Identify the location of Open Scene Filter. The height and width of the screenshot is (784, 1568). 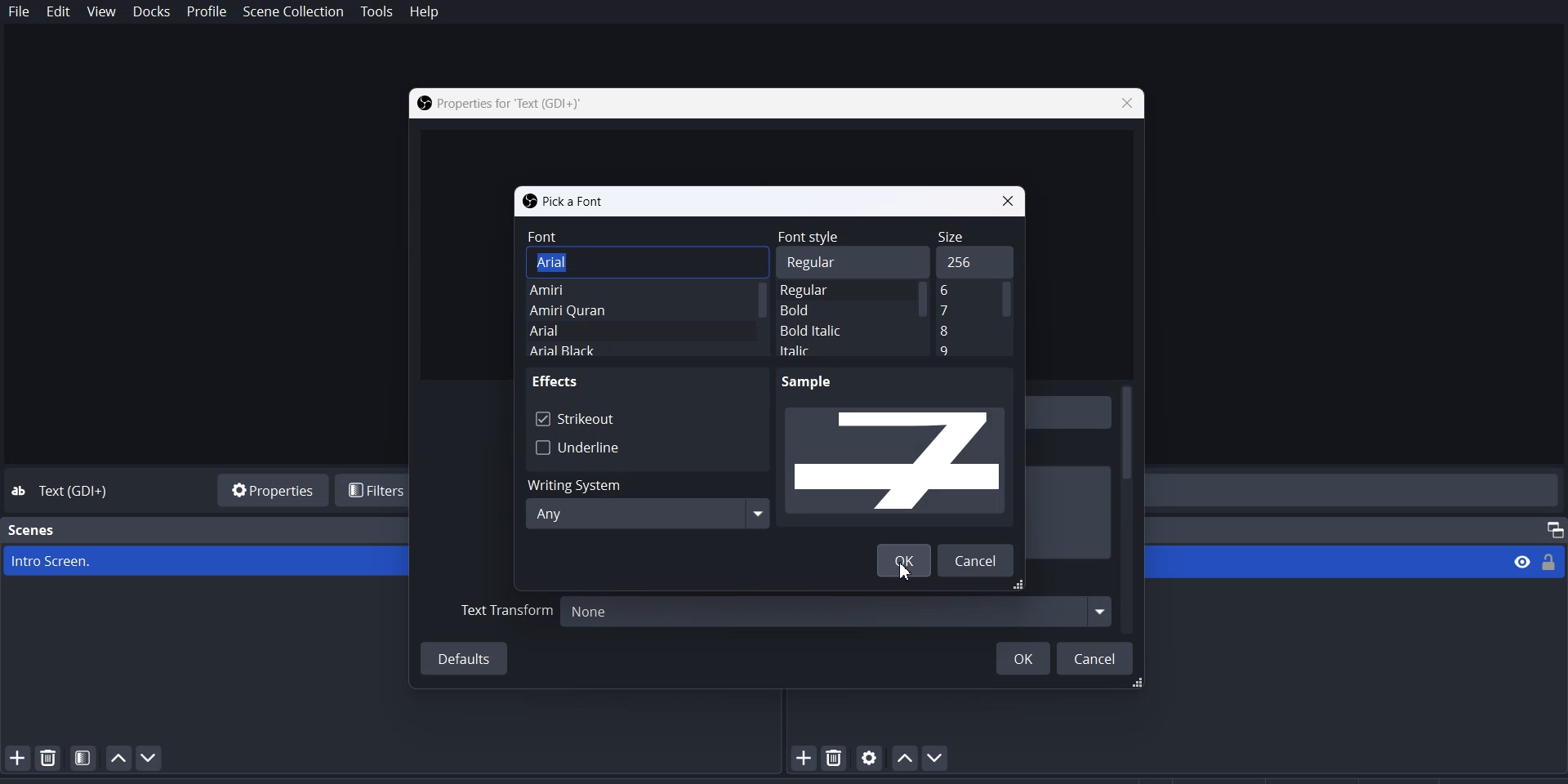
(83, 757).